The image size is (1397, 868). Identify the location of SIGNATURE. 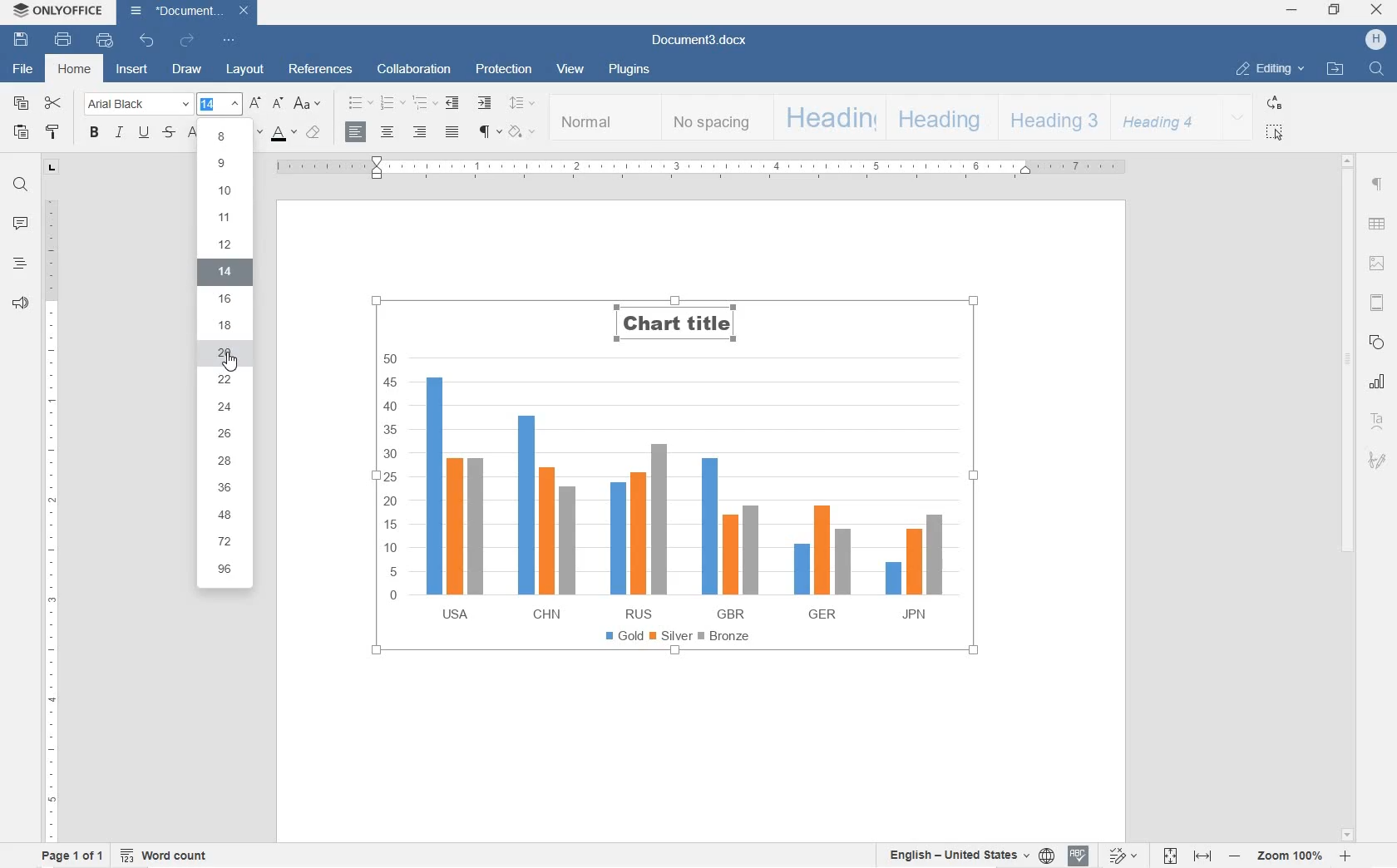
(1377, 462).